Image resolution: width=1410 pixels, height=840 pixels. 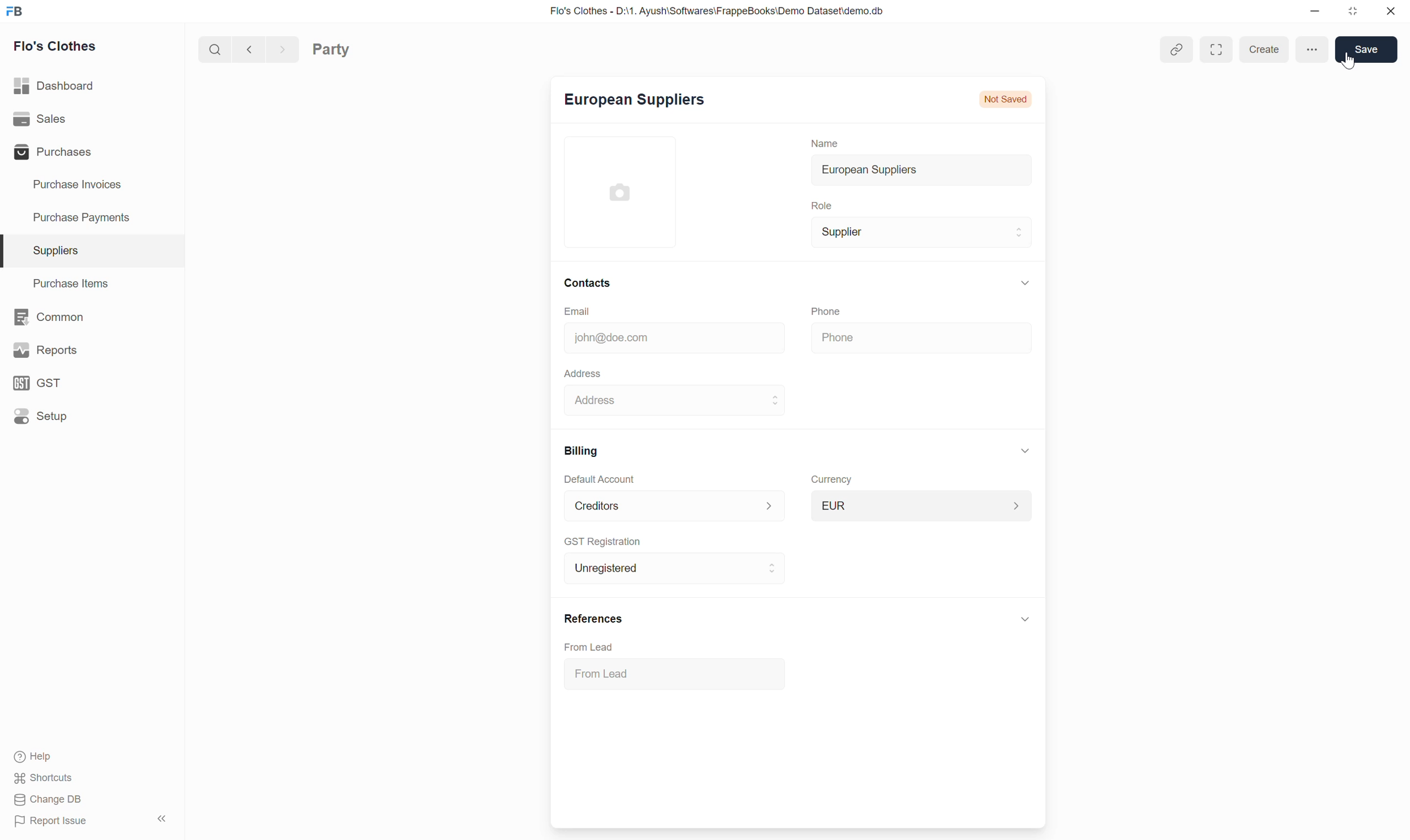 What do you see at coordinates (32, 758) in the screenshot?
I see `help` at bounding box center [32, 758].